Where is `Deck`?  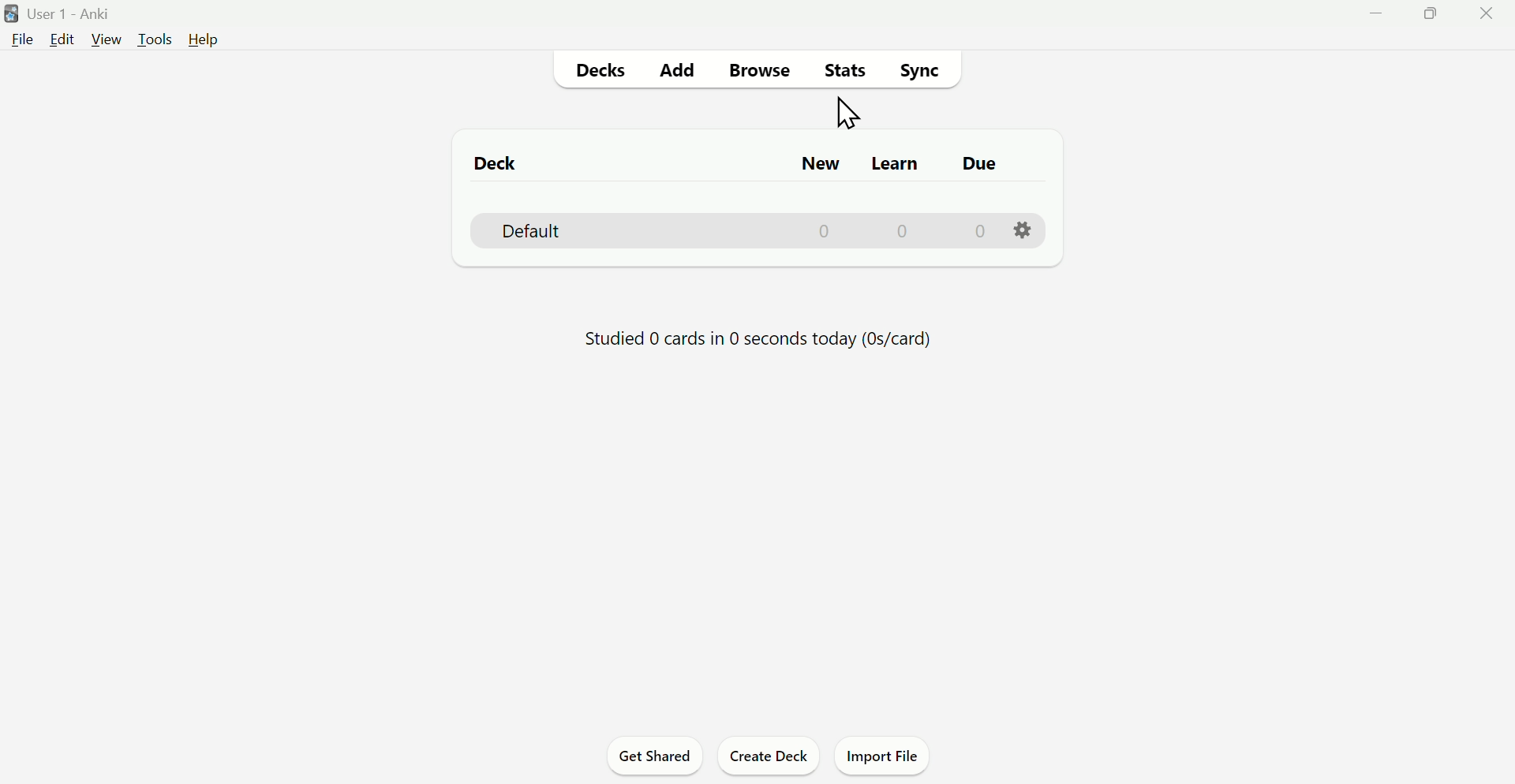
Deck is located at coordinates (497, 164).